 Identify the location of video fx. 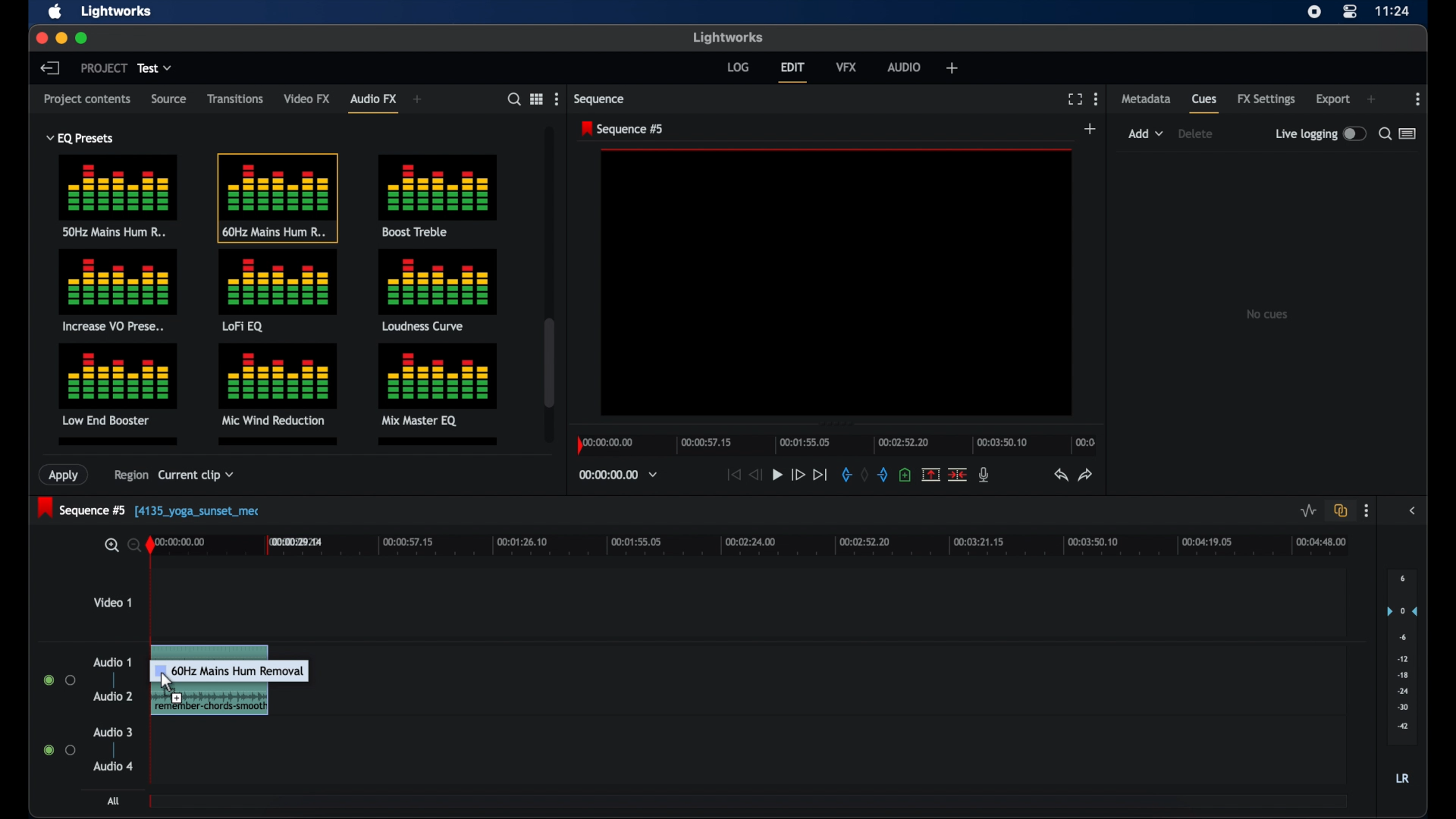
(308, 99).